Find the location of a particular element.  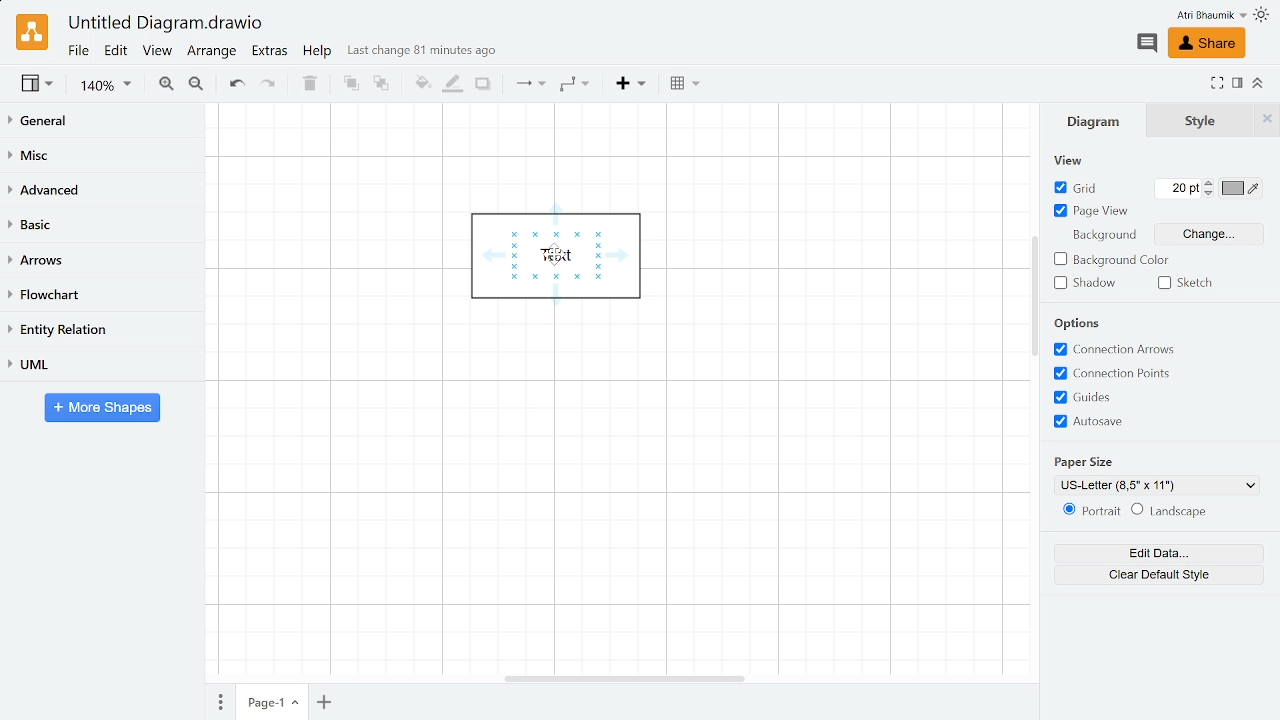

Delete is located at coordinates (311, 86).